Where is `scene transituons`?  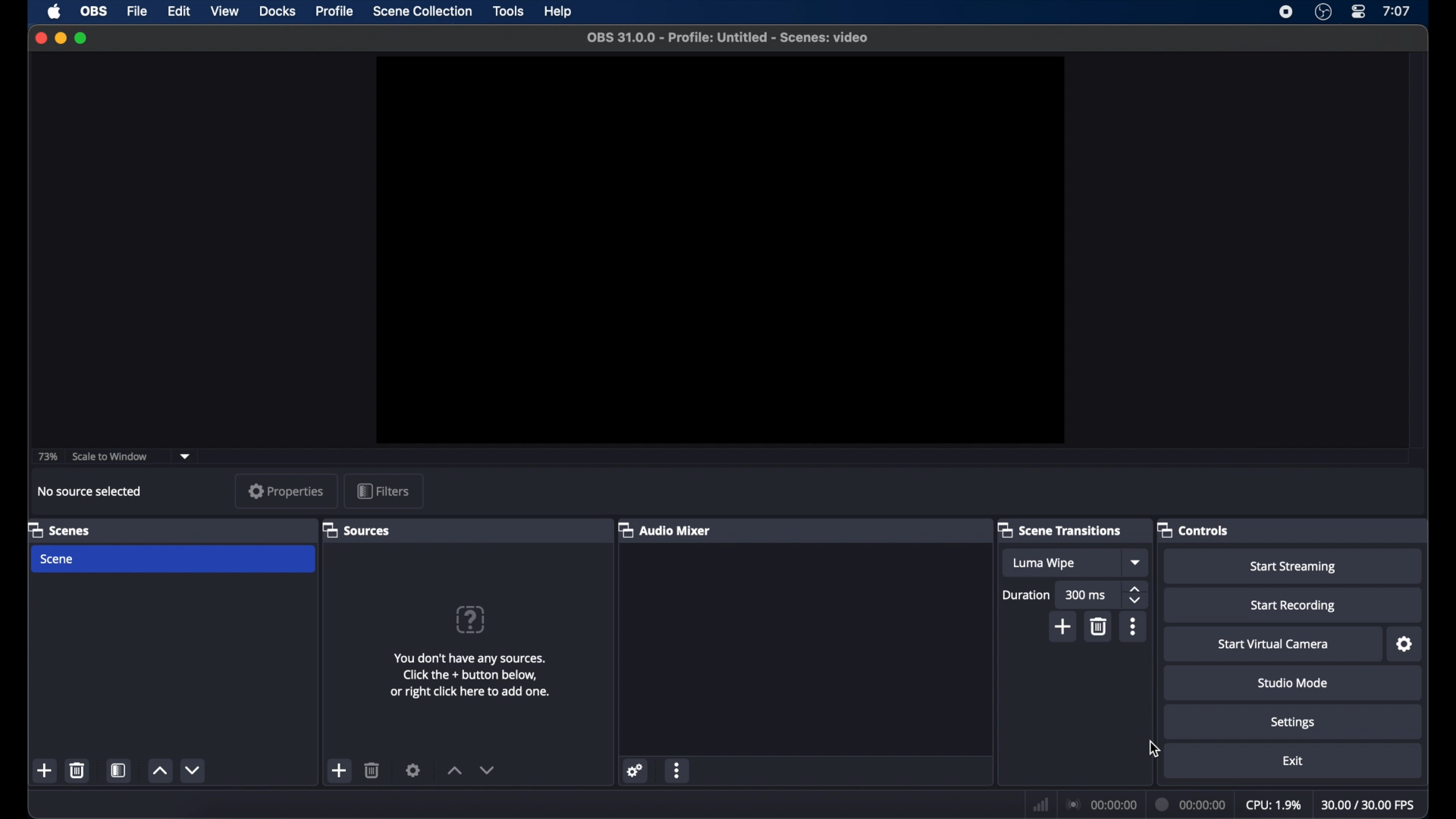
scene transituons is located at coordinates (1062, 529).